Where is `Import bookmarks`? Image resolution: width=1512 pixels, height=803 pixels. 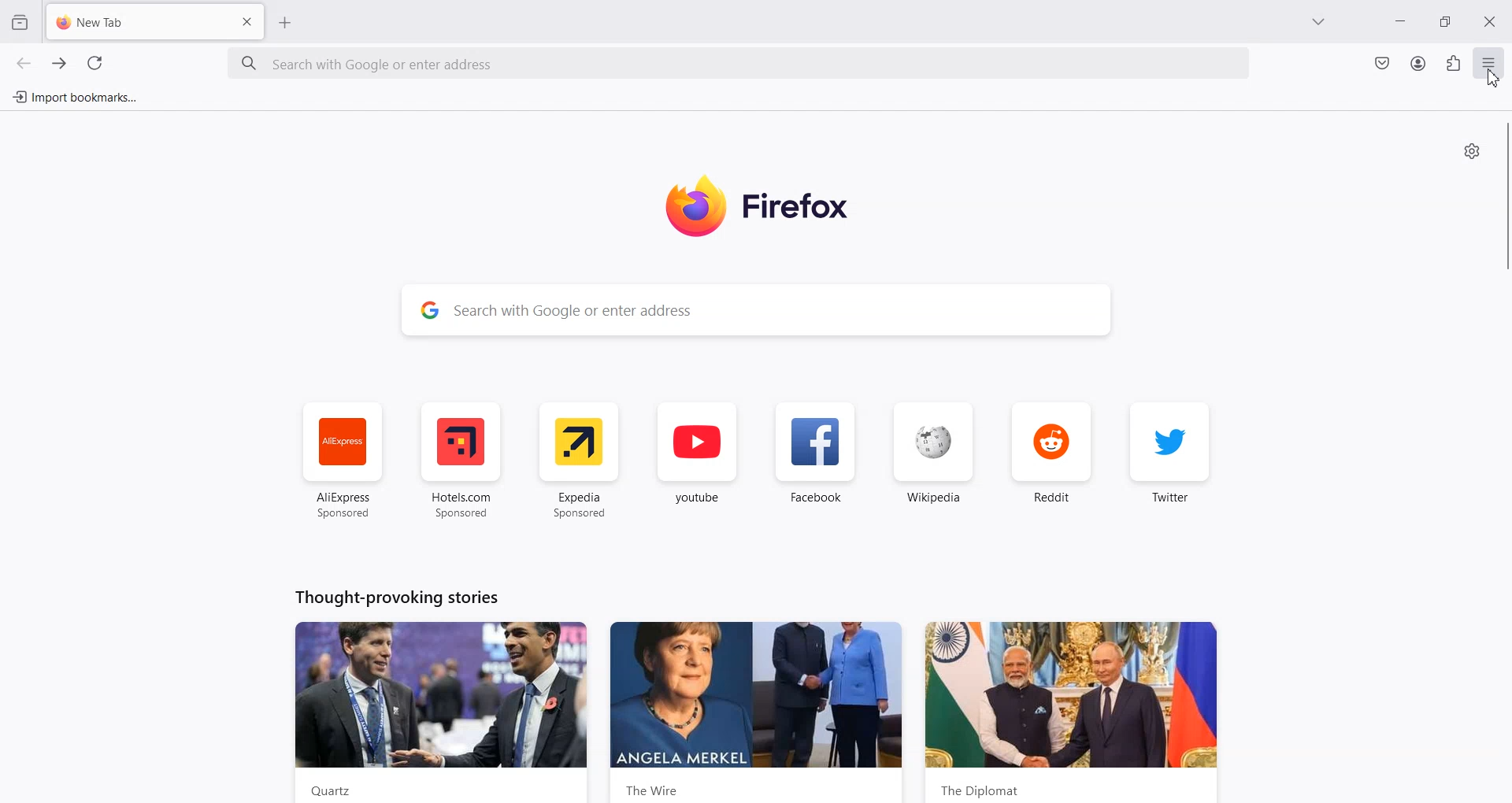 Import bookmarks is located at coordinates (74, 97).